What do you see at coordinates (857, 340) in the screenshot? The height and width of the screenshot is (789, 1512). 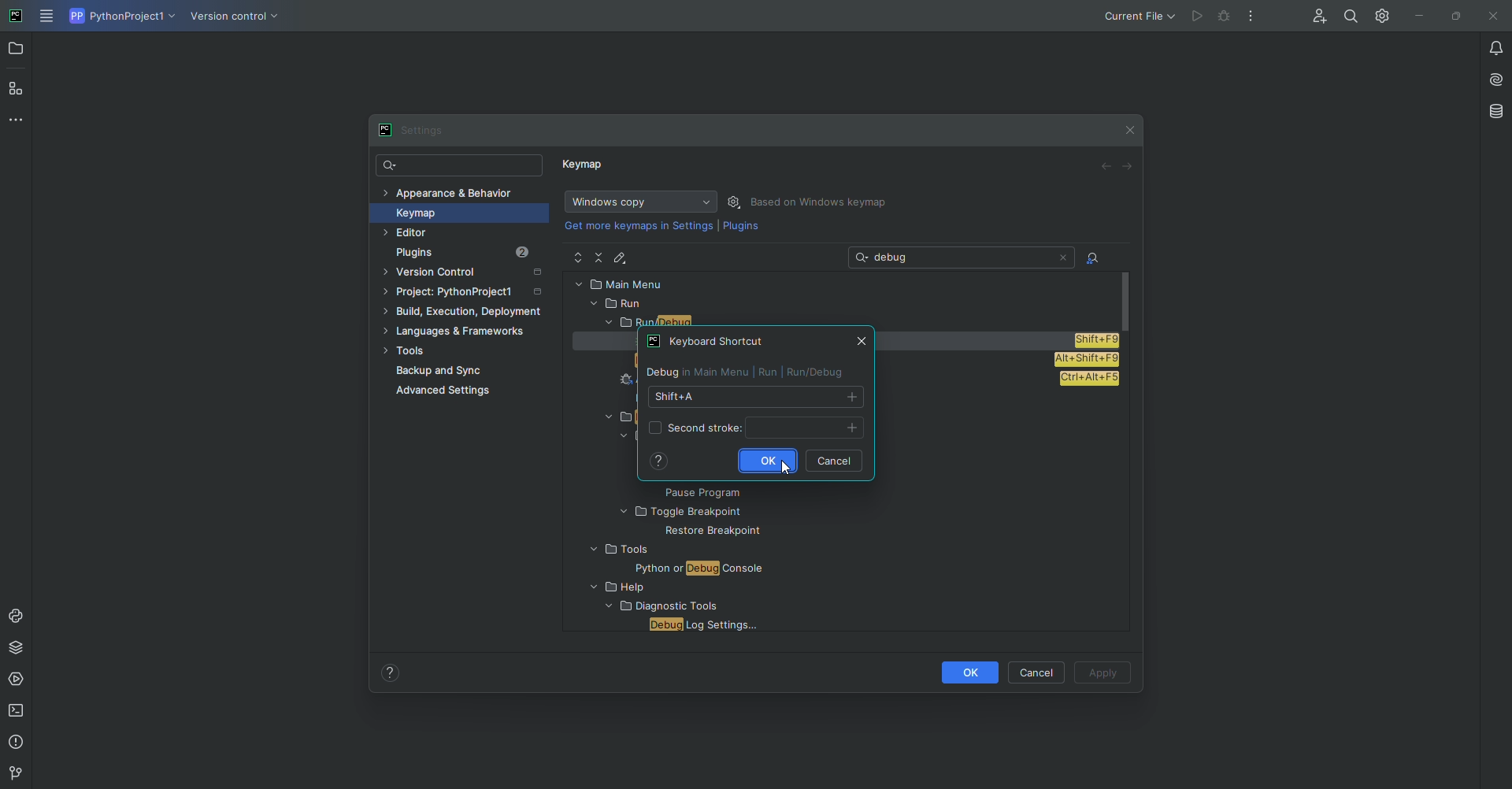 I see `Close` at bounding box center [857, 340].